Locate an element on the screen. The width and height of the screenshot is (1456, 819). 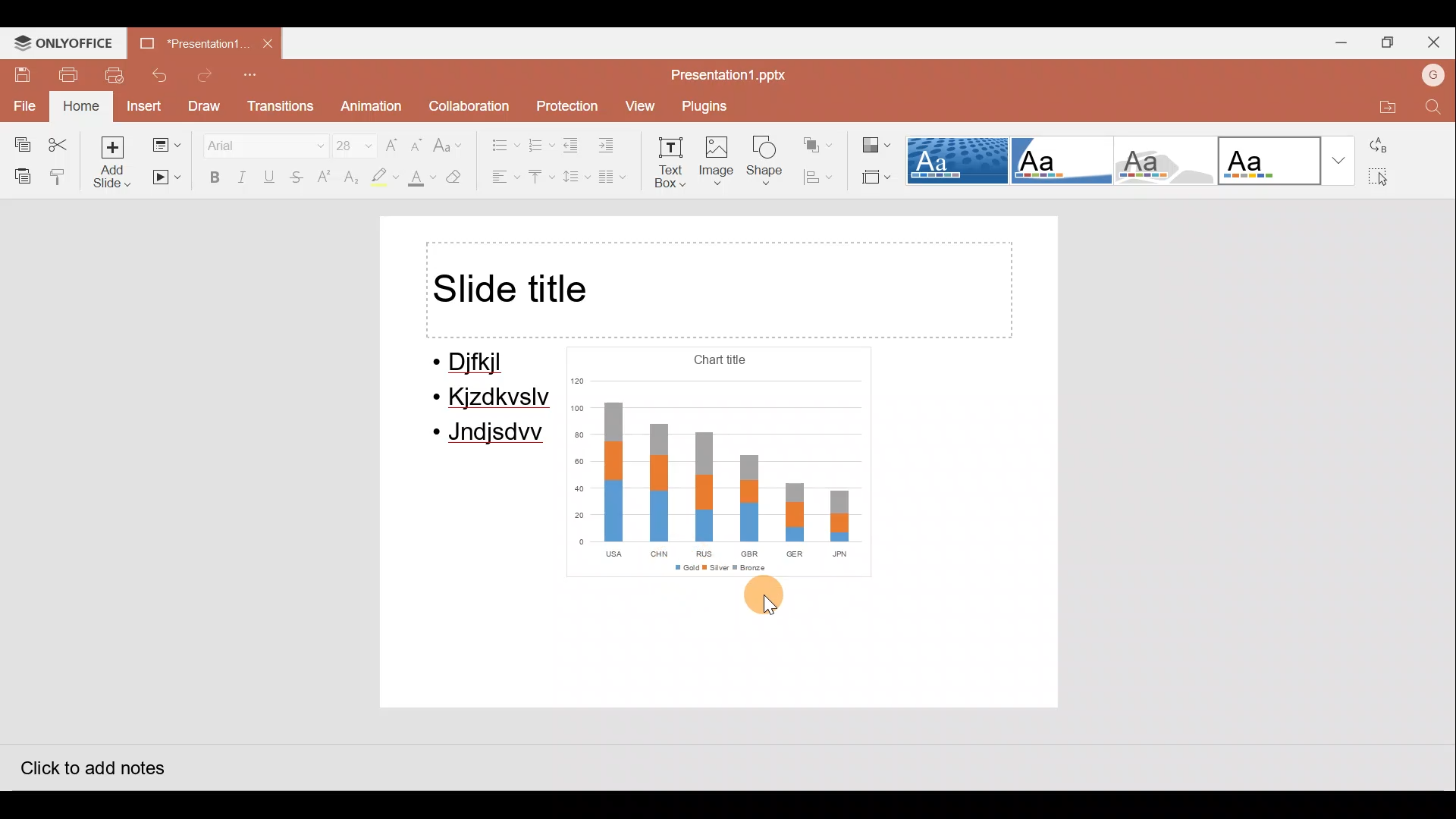
Find is located at coordinates (1433, 108).